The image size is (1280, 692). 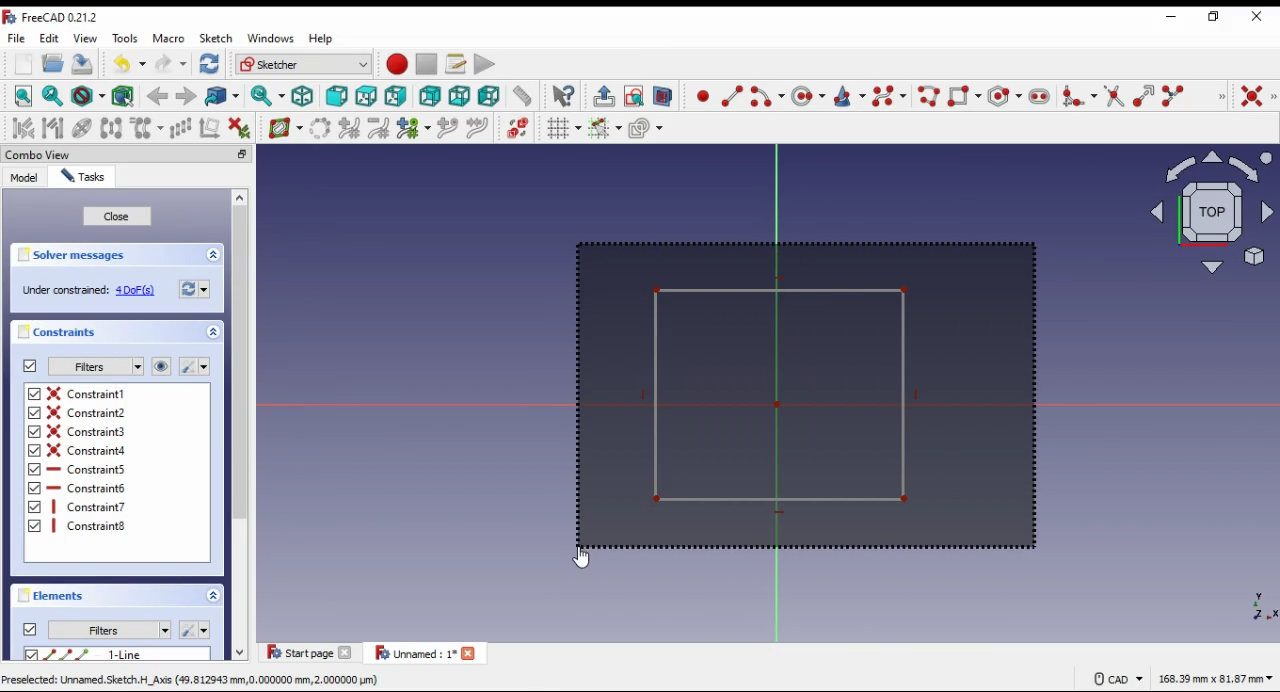 What do you see at coordinates (39, 154) in the screenshot?
I see `combo view` at bounding box center [39, 154].